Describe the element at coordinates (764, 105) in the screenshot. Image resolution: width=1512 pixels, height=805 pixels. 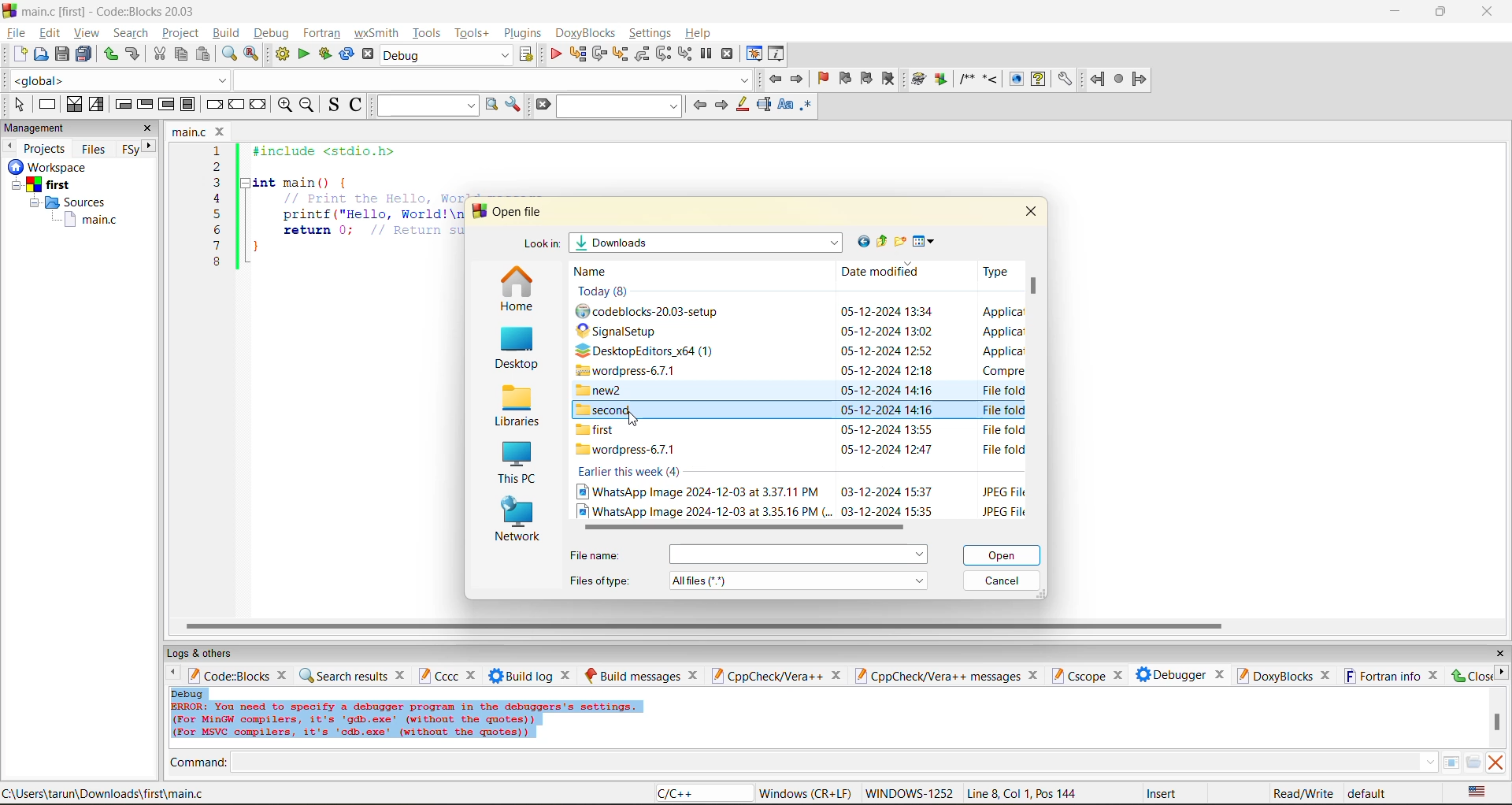
I see `selected text` at that location.